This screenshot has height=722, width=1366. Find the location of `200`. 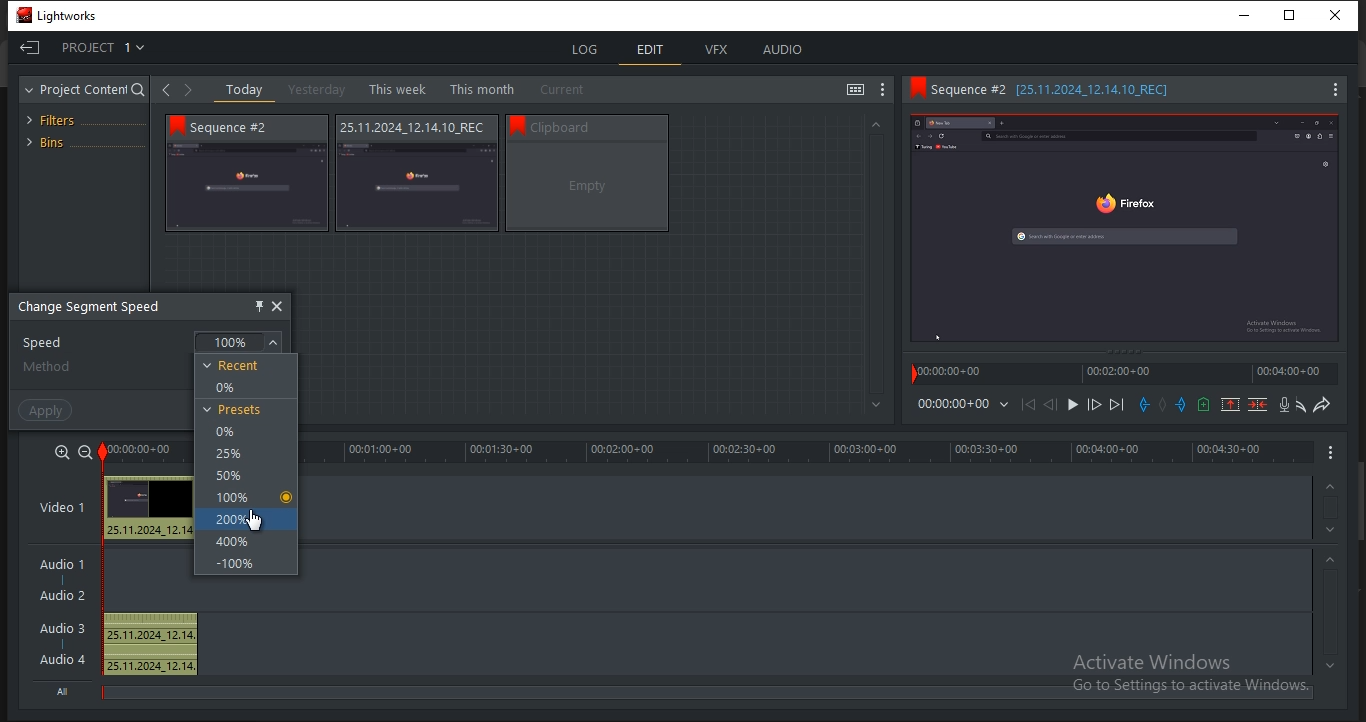

200 is located at coordinates (233, 519).